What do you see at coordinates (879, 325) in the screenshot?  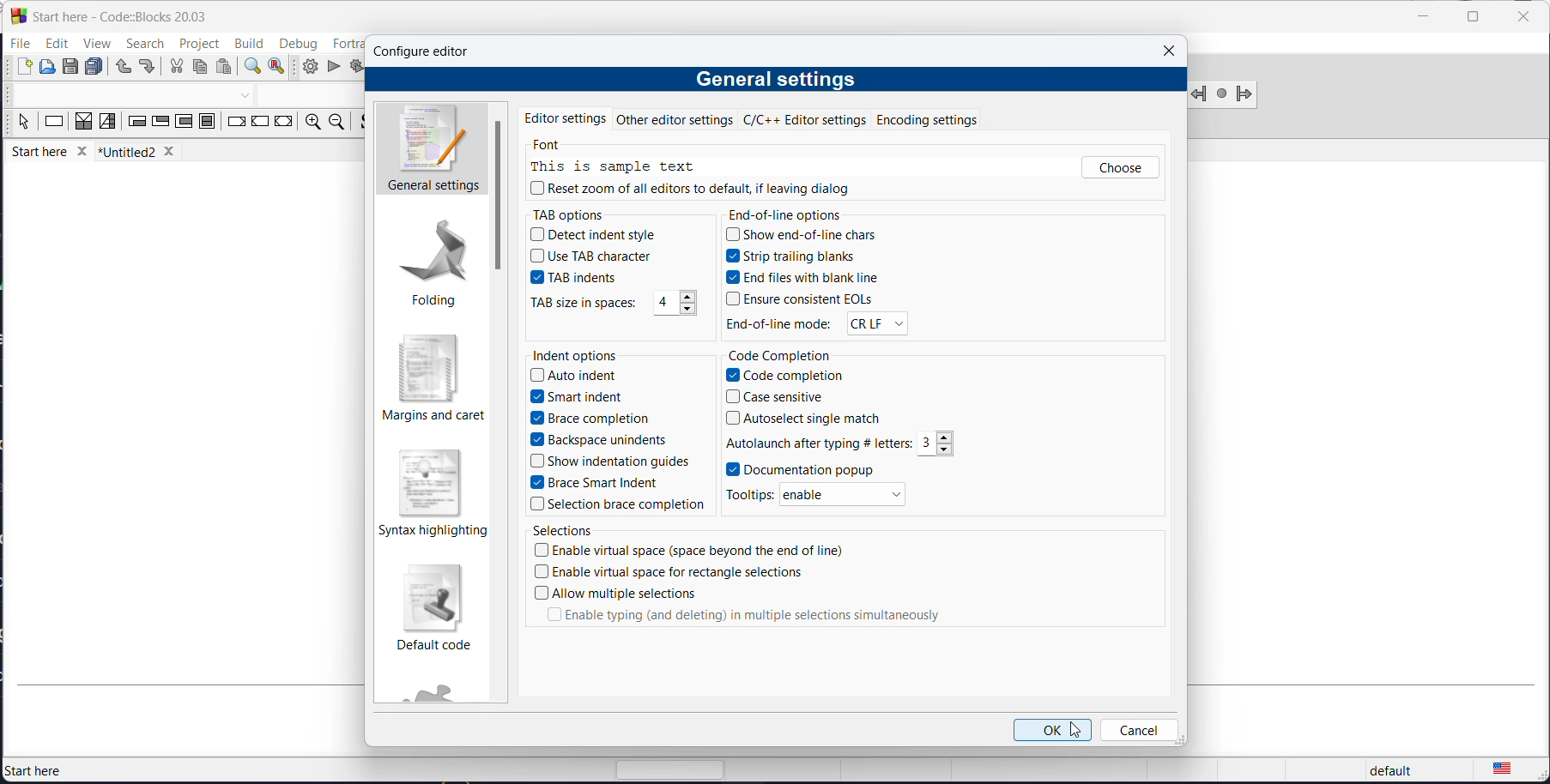 I see `dropdown` at bounding box center [879, 325].